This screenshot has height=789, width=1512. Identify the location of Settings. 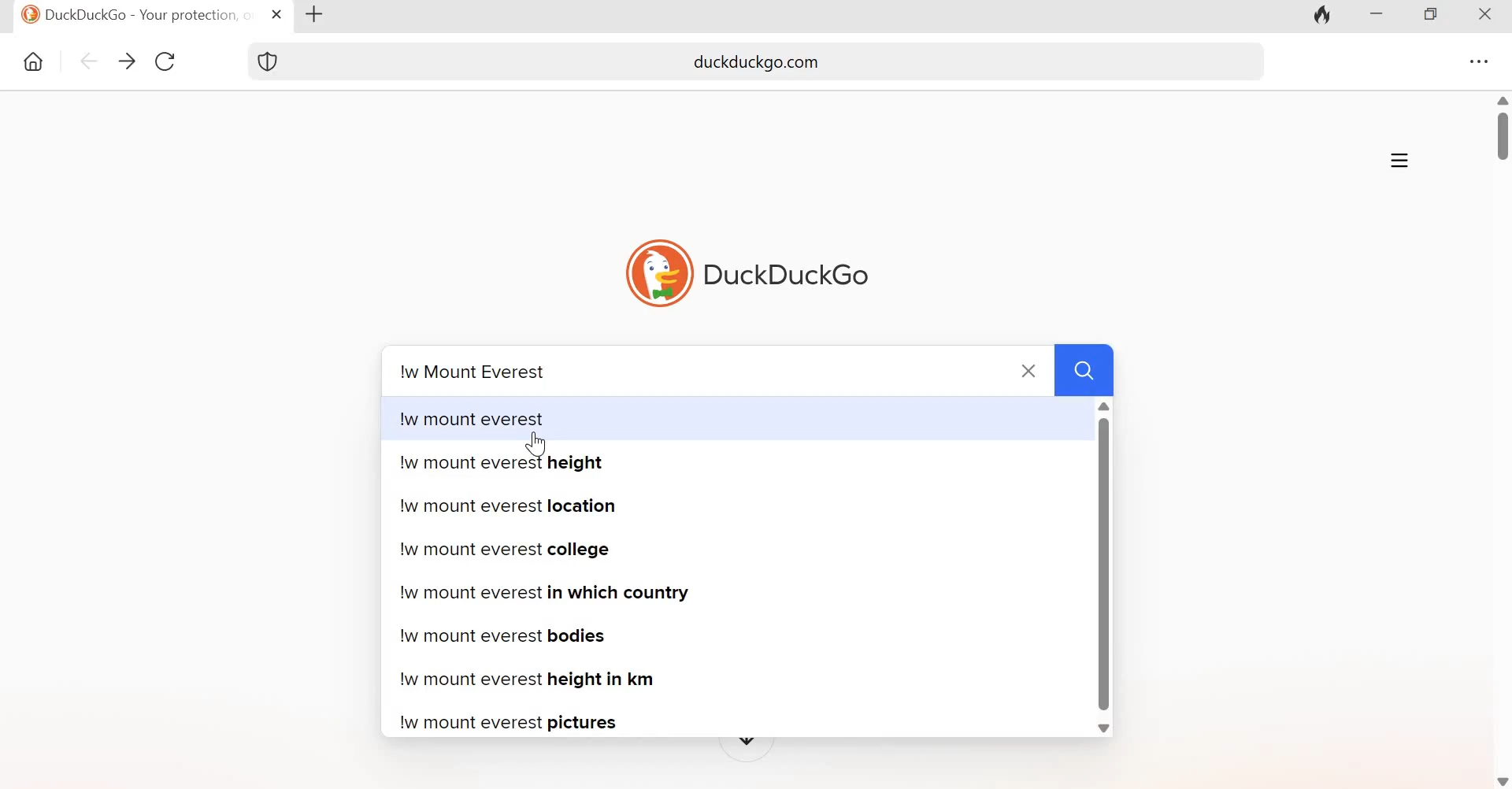
(1480, 60).